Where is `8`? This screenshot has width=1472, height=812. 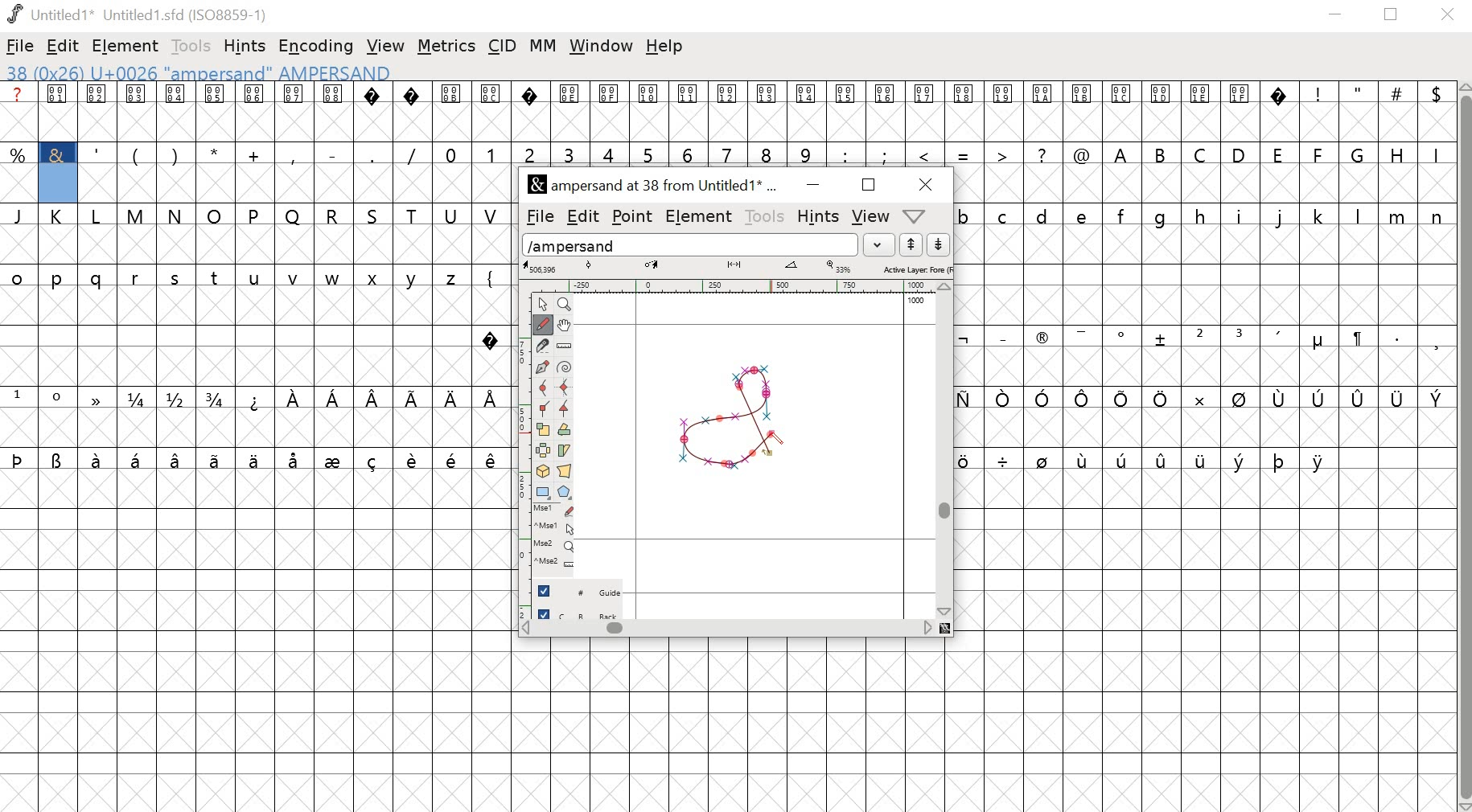 8 is located at coordinates (767, 153).